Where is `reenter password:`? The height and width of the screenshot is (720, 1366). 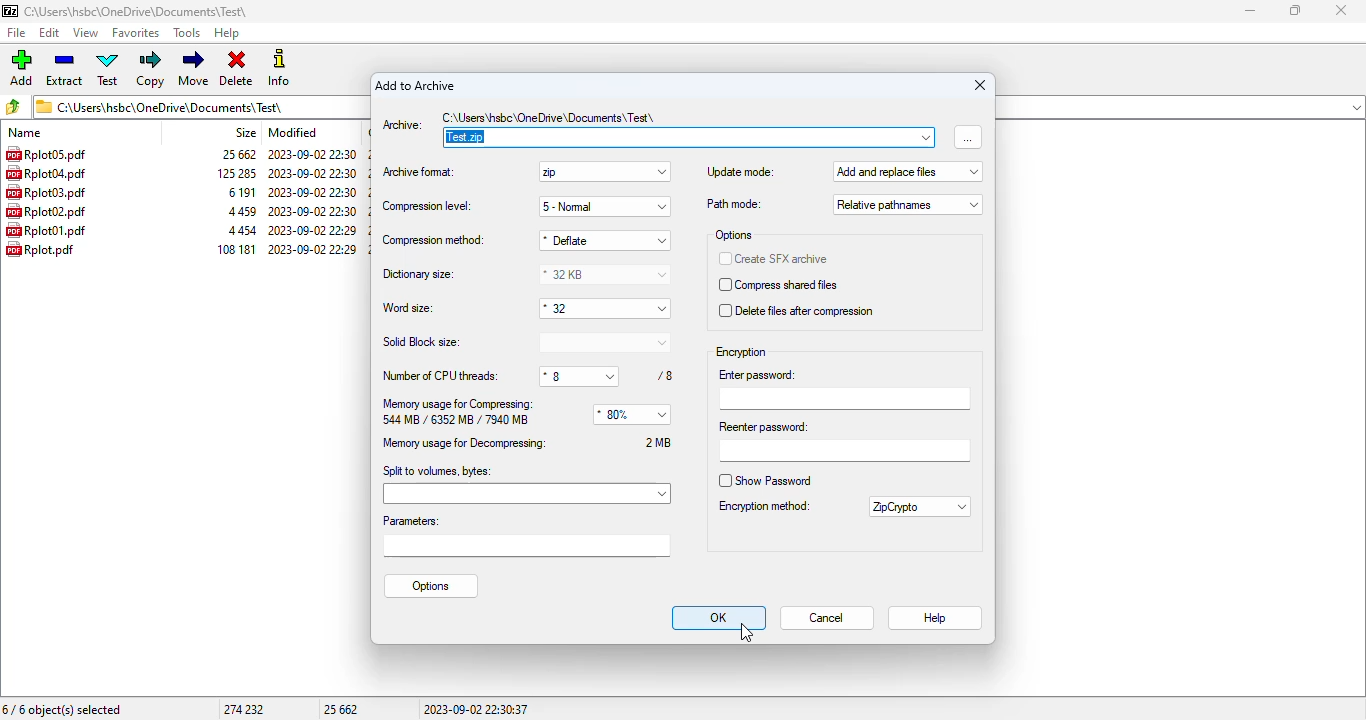 reenter password: is located at coordinates (844, 441).